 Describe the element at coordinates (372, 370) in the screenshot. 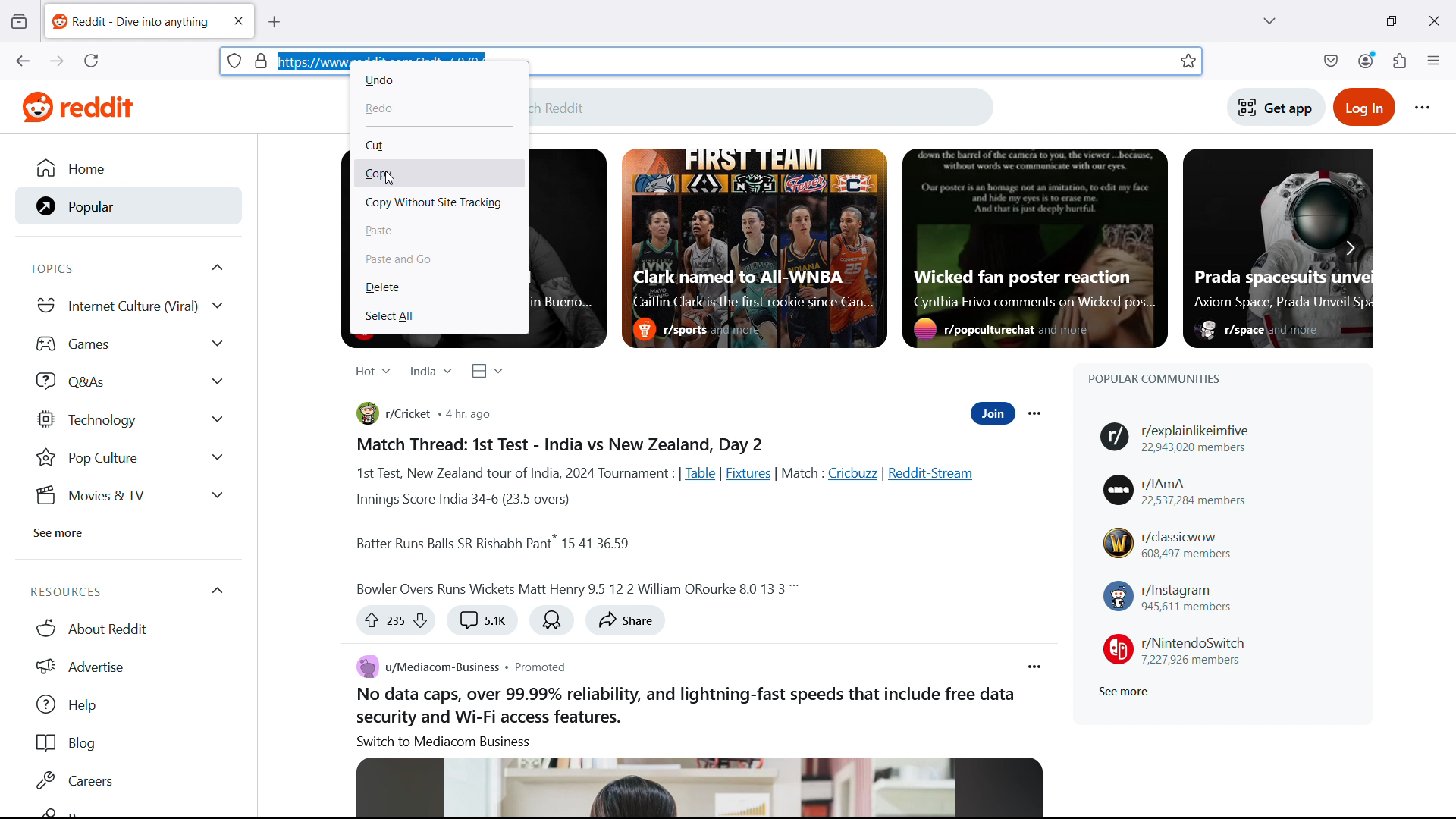

I see `Select relevance` at that location.